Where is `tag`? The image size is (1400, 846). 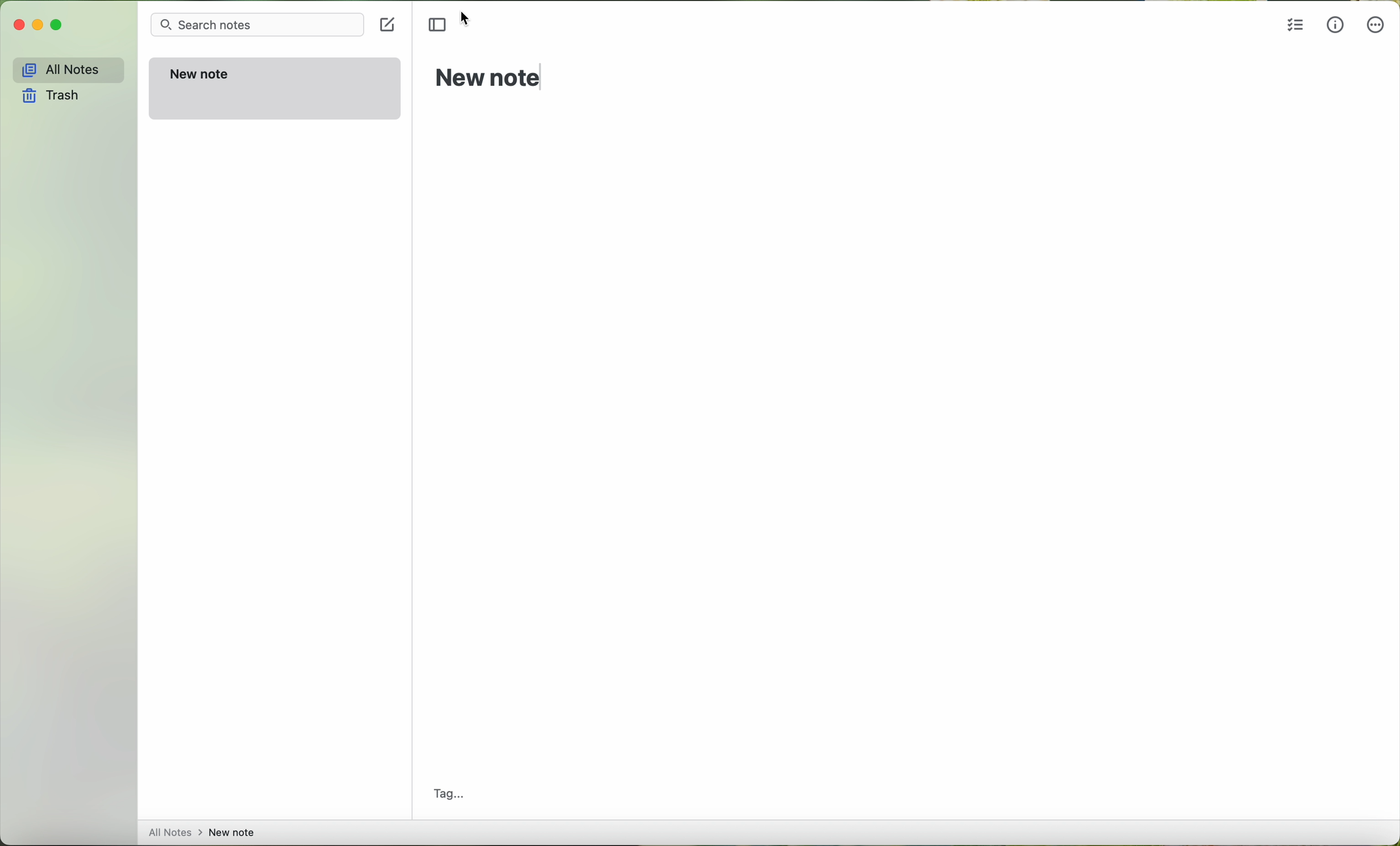 tag is located at coordinates (451, 794).